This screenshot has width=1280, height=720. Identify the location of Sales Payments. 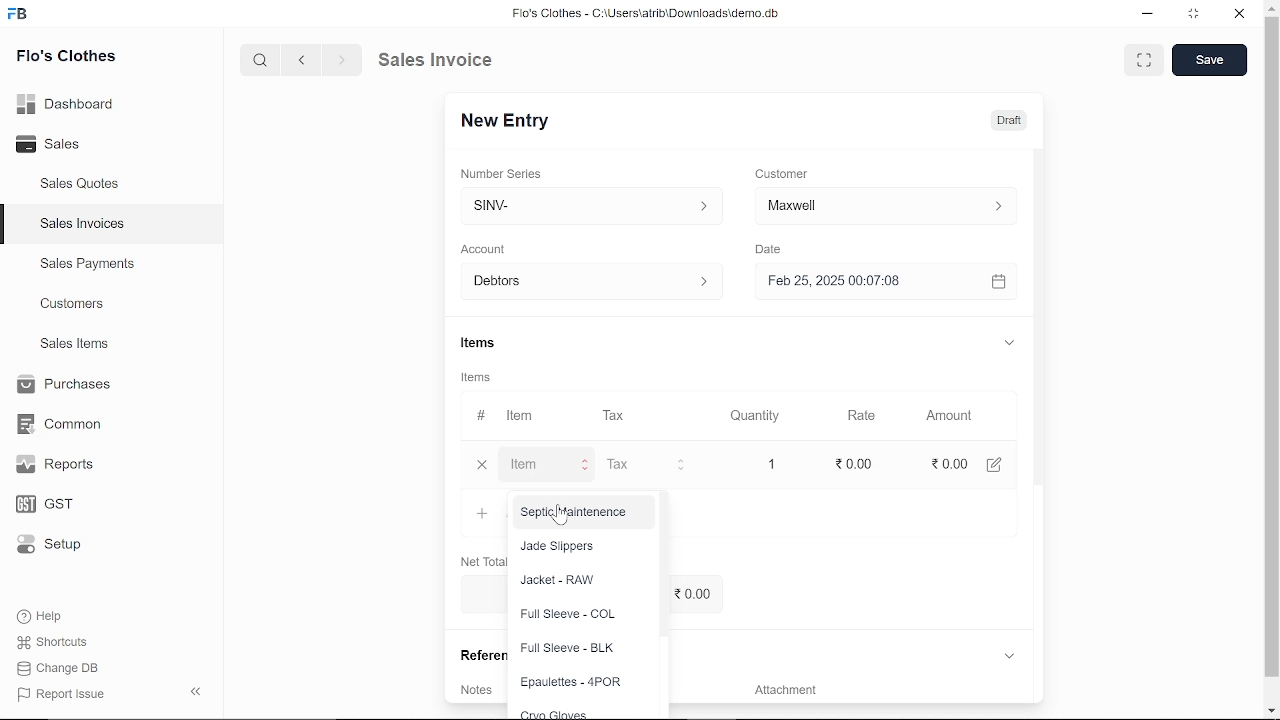
(87, 264).